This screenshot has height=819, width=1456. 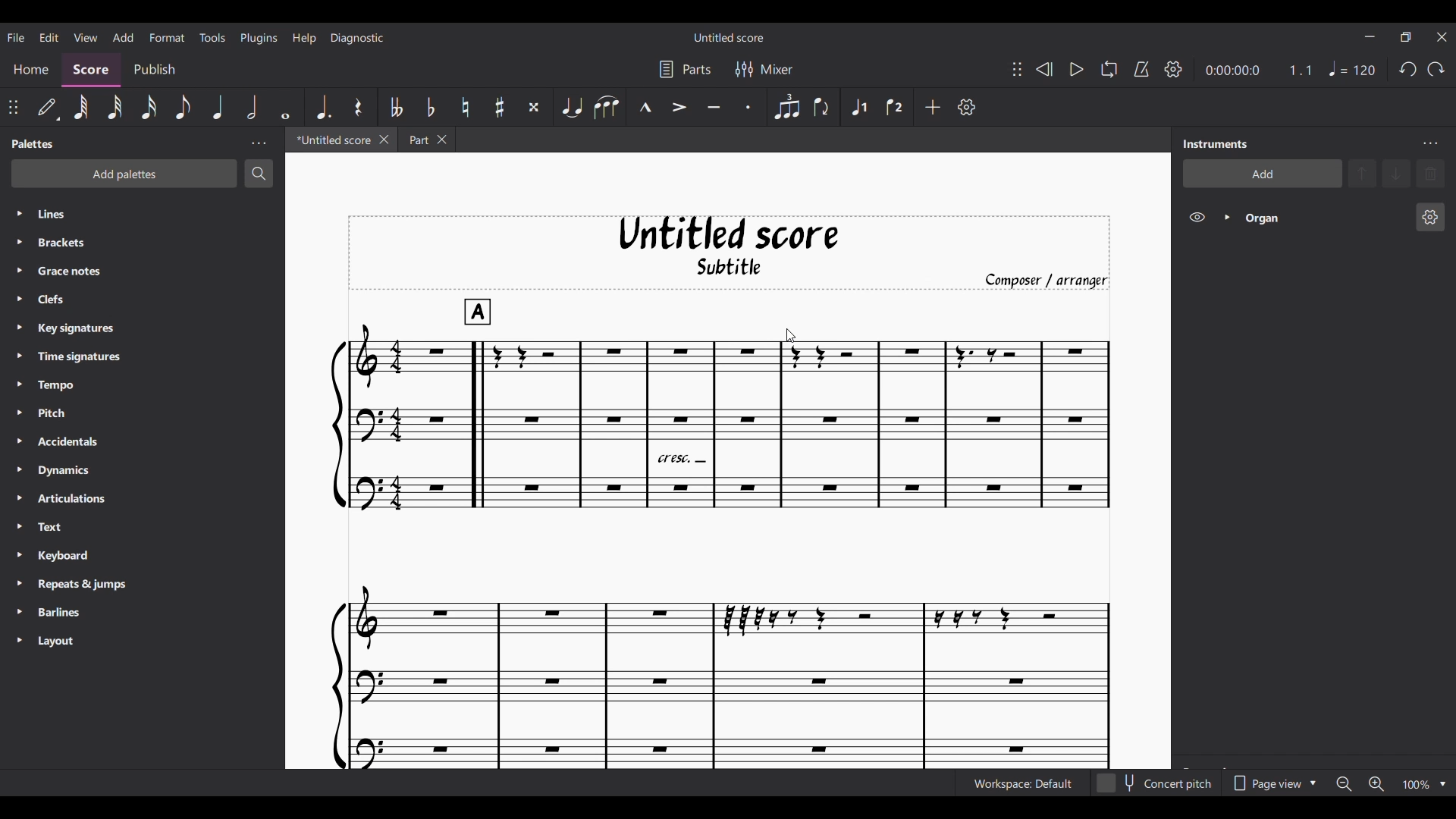 I want to click on Search, so click(x=259, y=173).